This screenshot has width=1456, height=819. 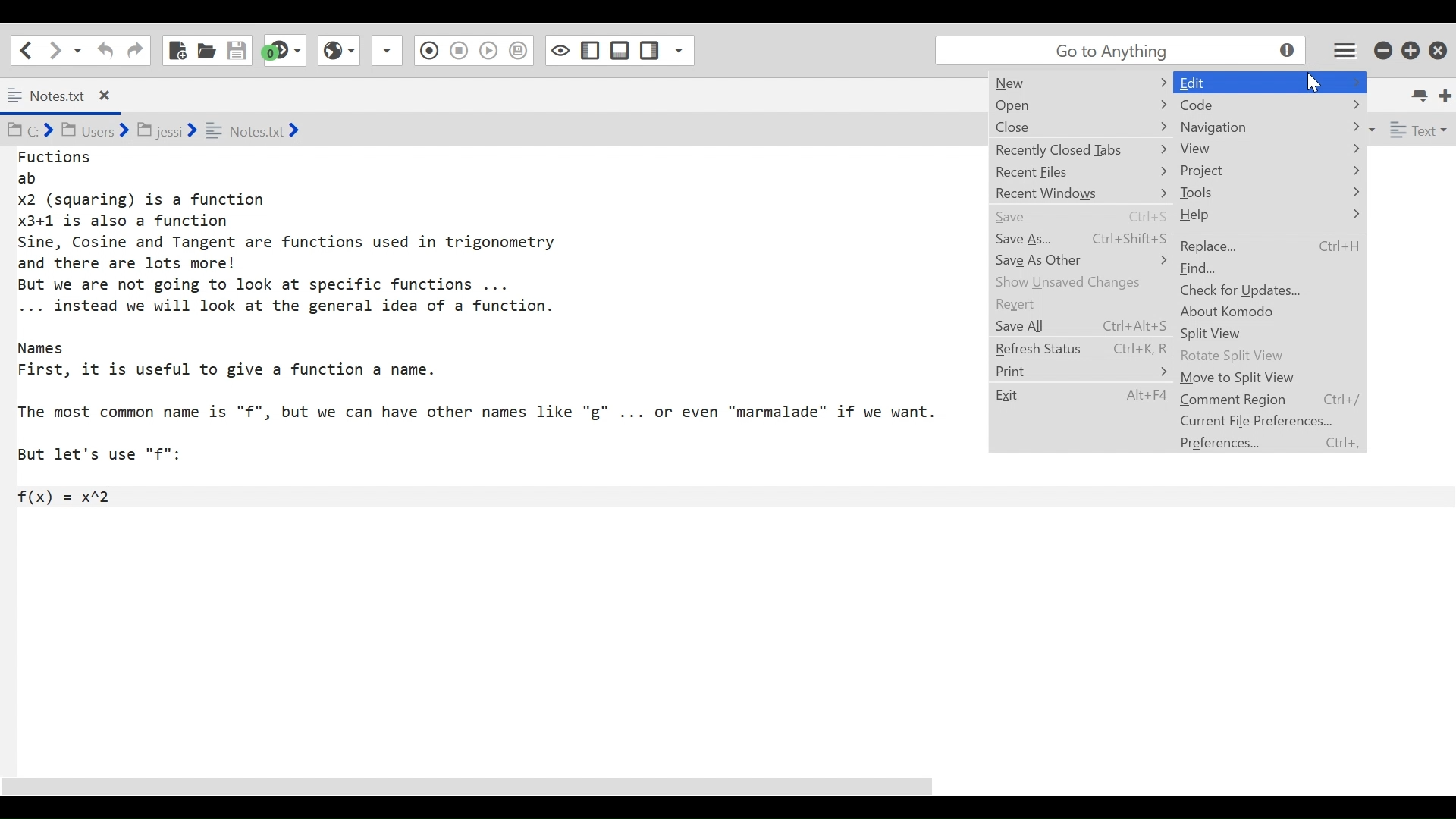 What do you see at coordinates (427, 52) in the screenshot?
I see `Stop Recording Macro` at bounding box center [427, 52].